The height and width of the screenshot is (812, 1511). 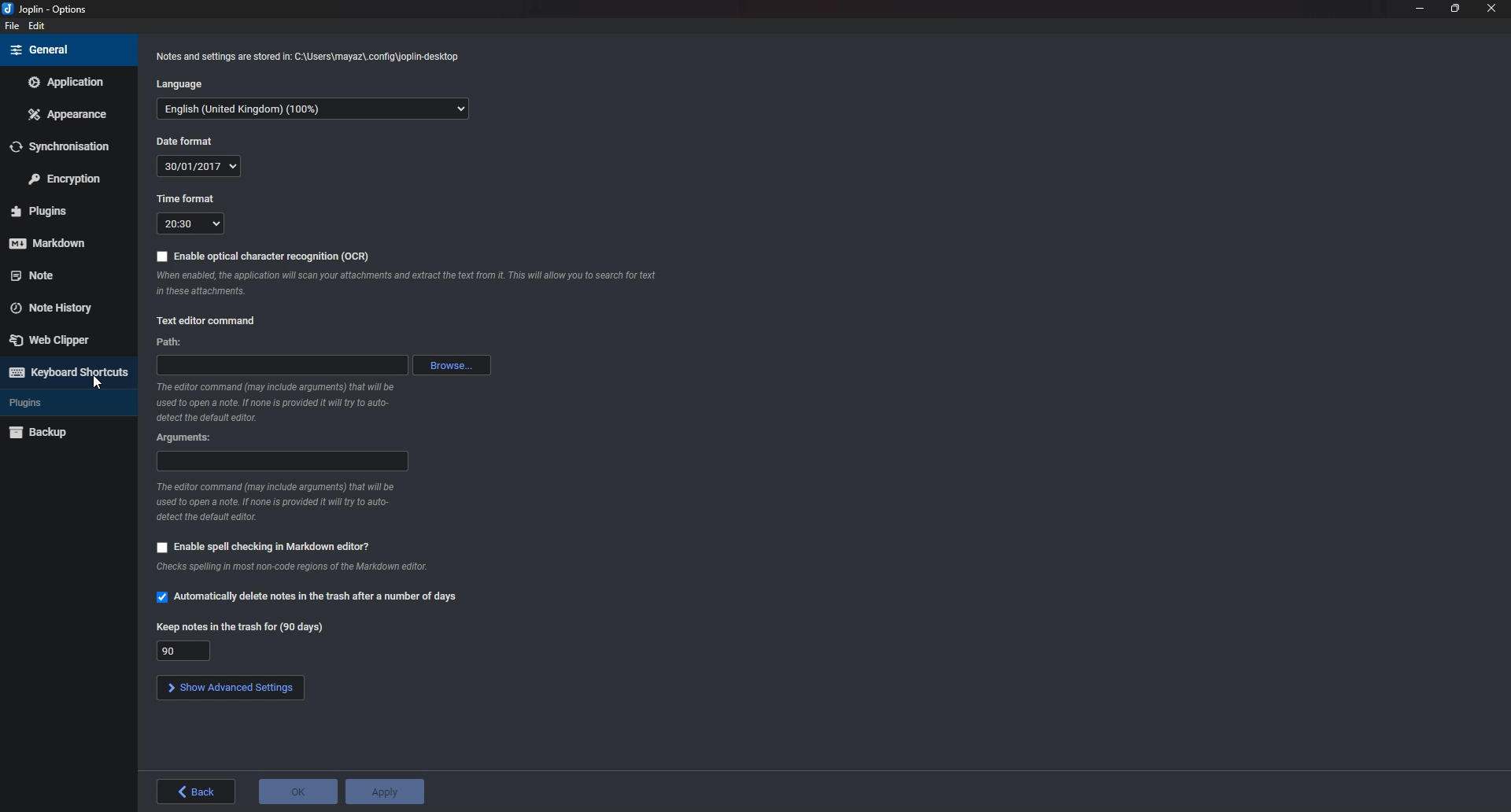 What do you see at coordinates (279, 501) in the screenshot?
I see `Info` at bounding box center [279, 501].